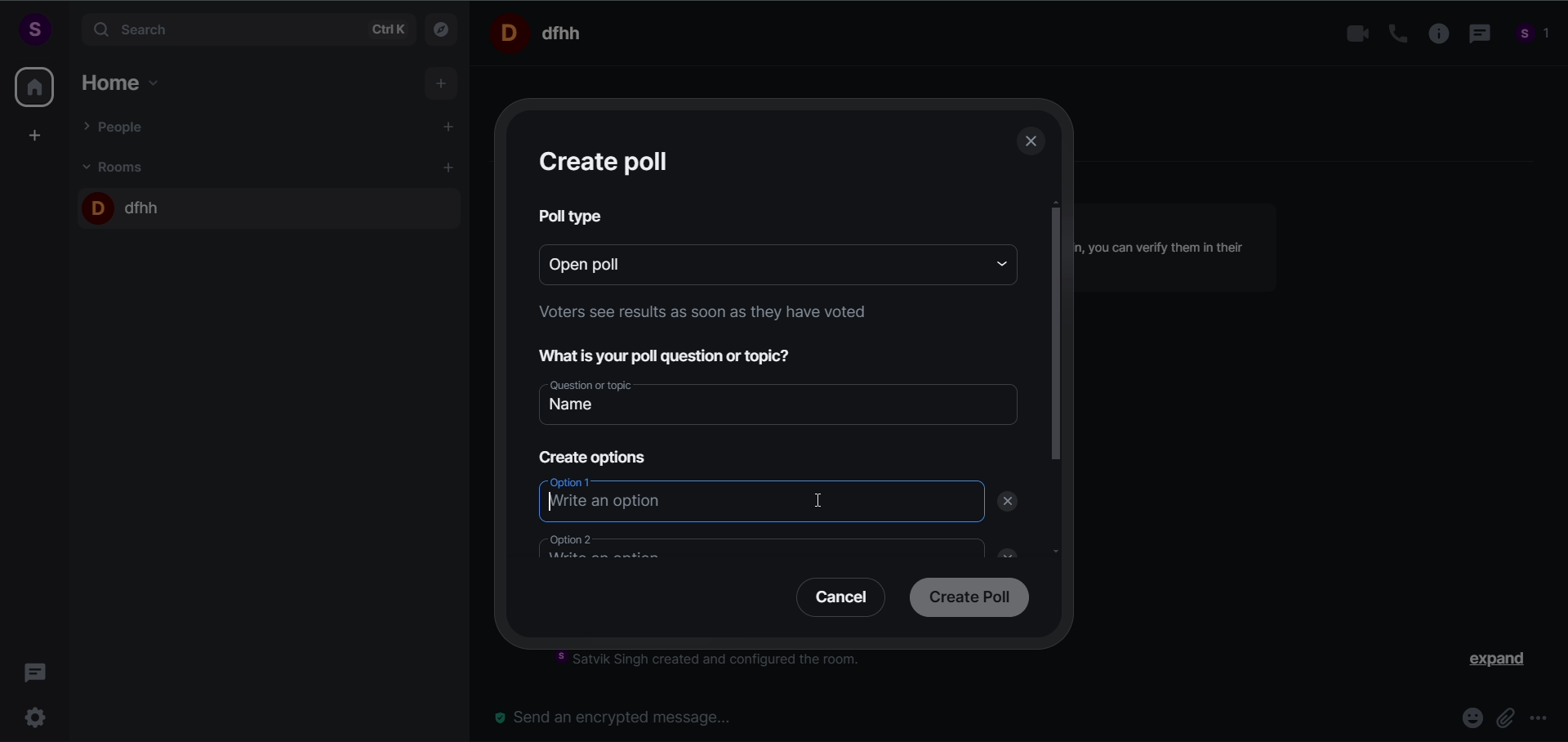  What do you see at coordinates (1392, 34) in the screenshot?
I see `call` at bounding box center [1392, 34].